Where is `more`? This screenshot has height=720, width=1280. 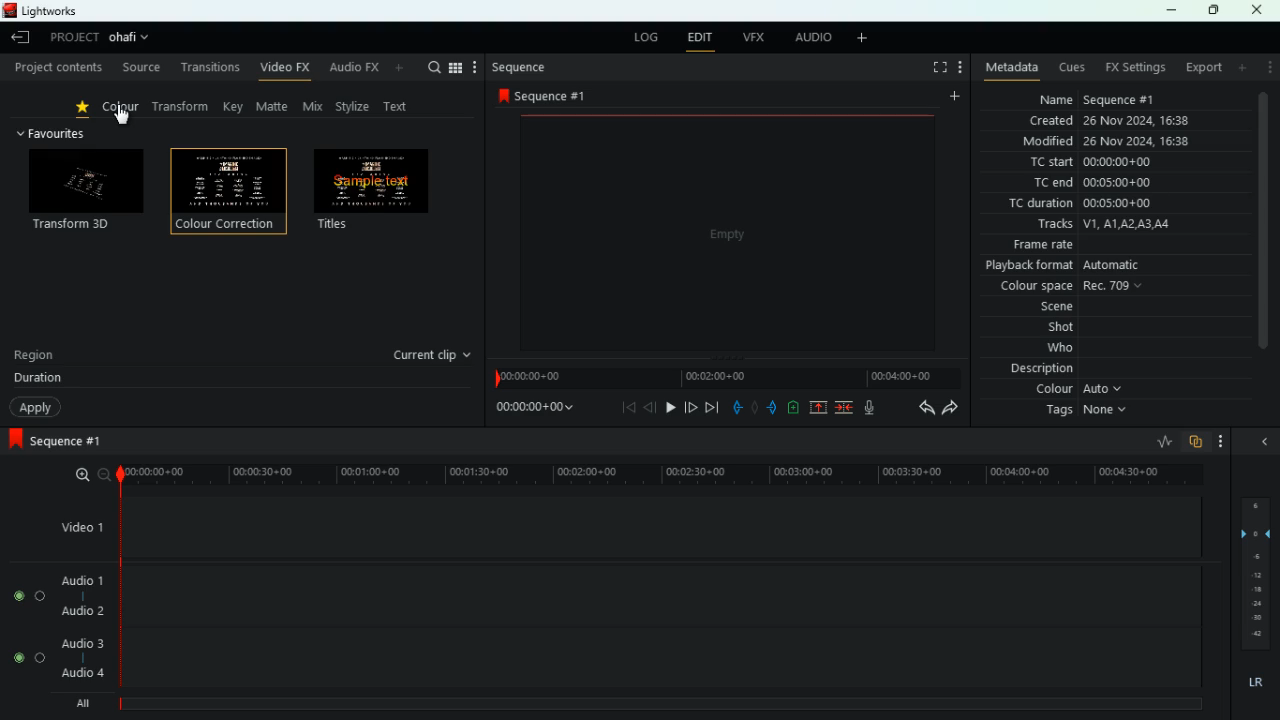 more is located at coordinates (953, 95).